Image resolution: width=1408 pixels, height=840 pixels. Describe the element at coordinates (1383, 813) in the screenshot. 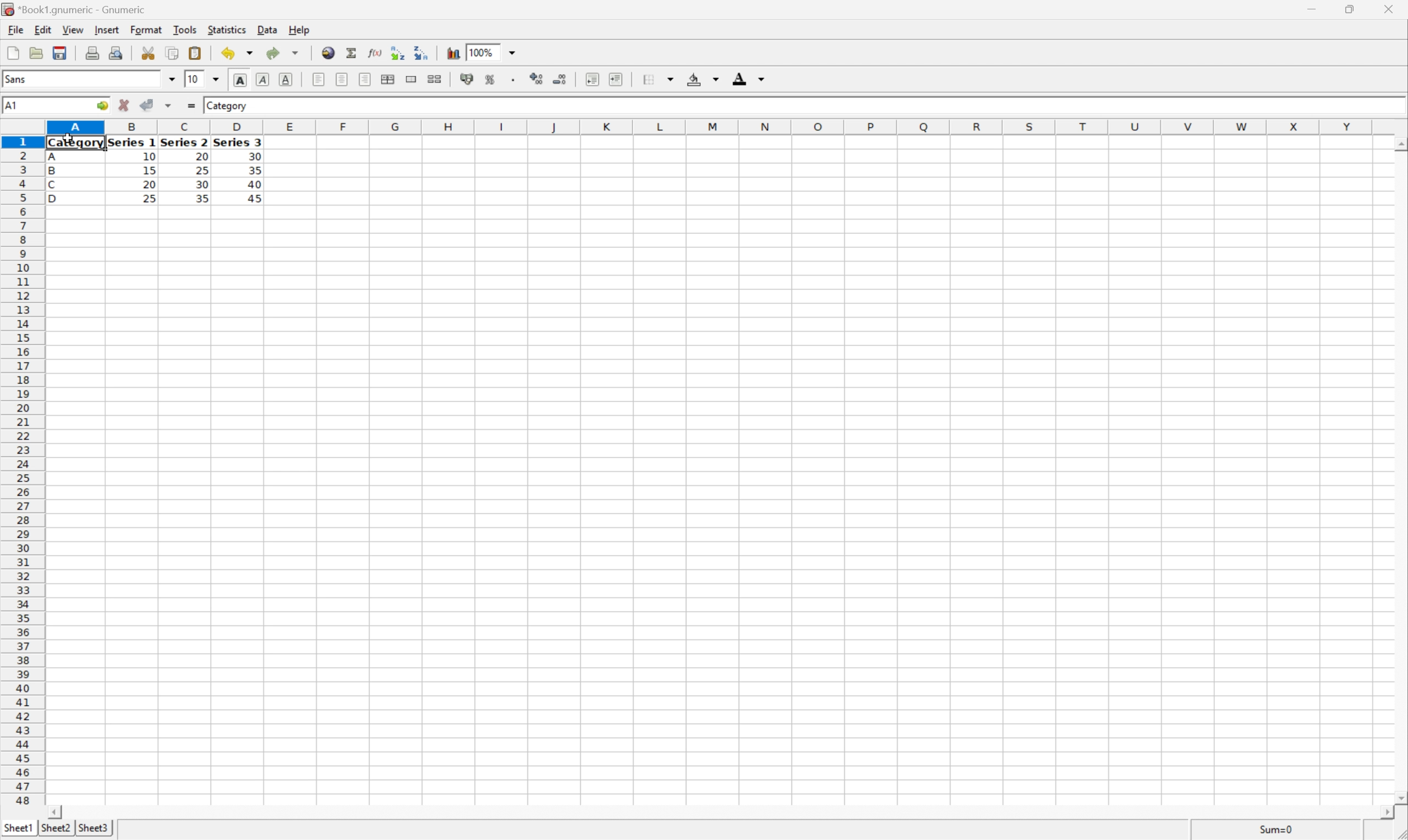

I see `Scroll Right` at that location.